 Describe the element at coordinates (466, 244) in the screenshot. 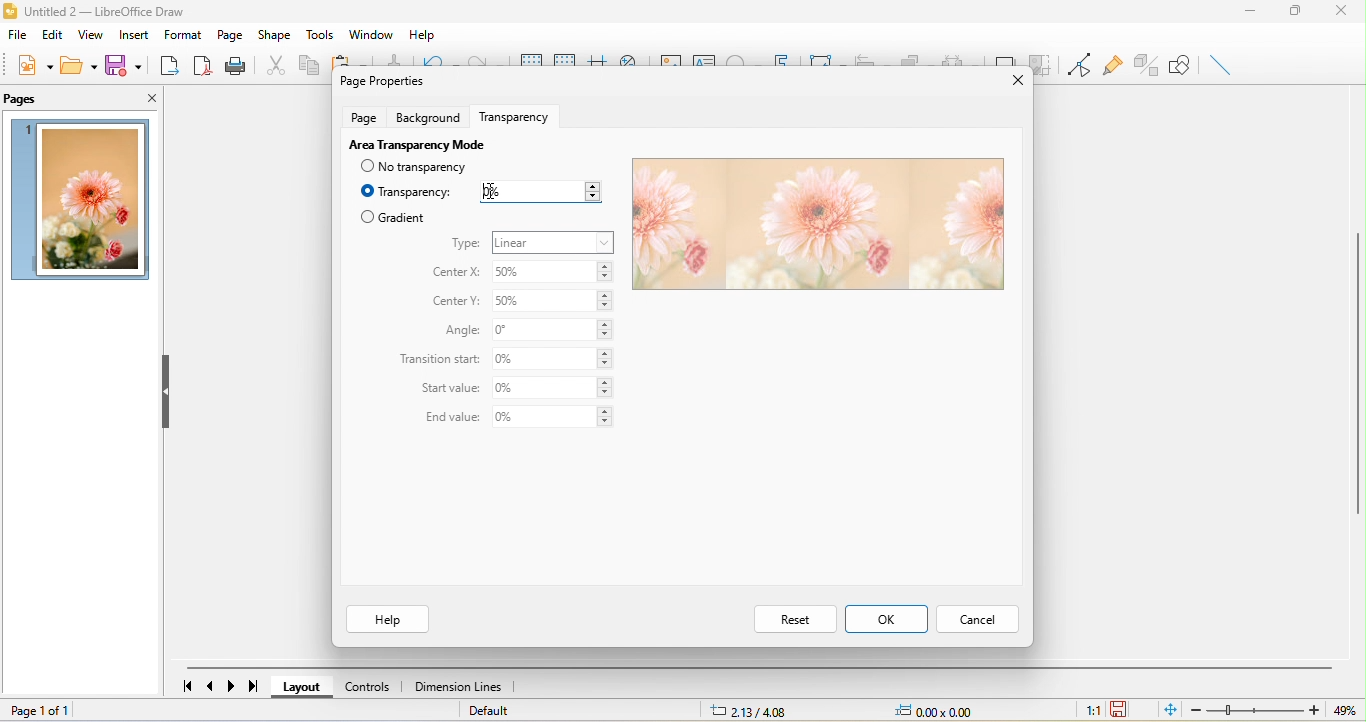

I see `type` at that location.